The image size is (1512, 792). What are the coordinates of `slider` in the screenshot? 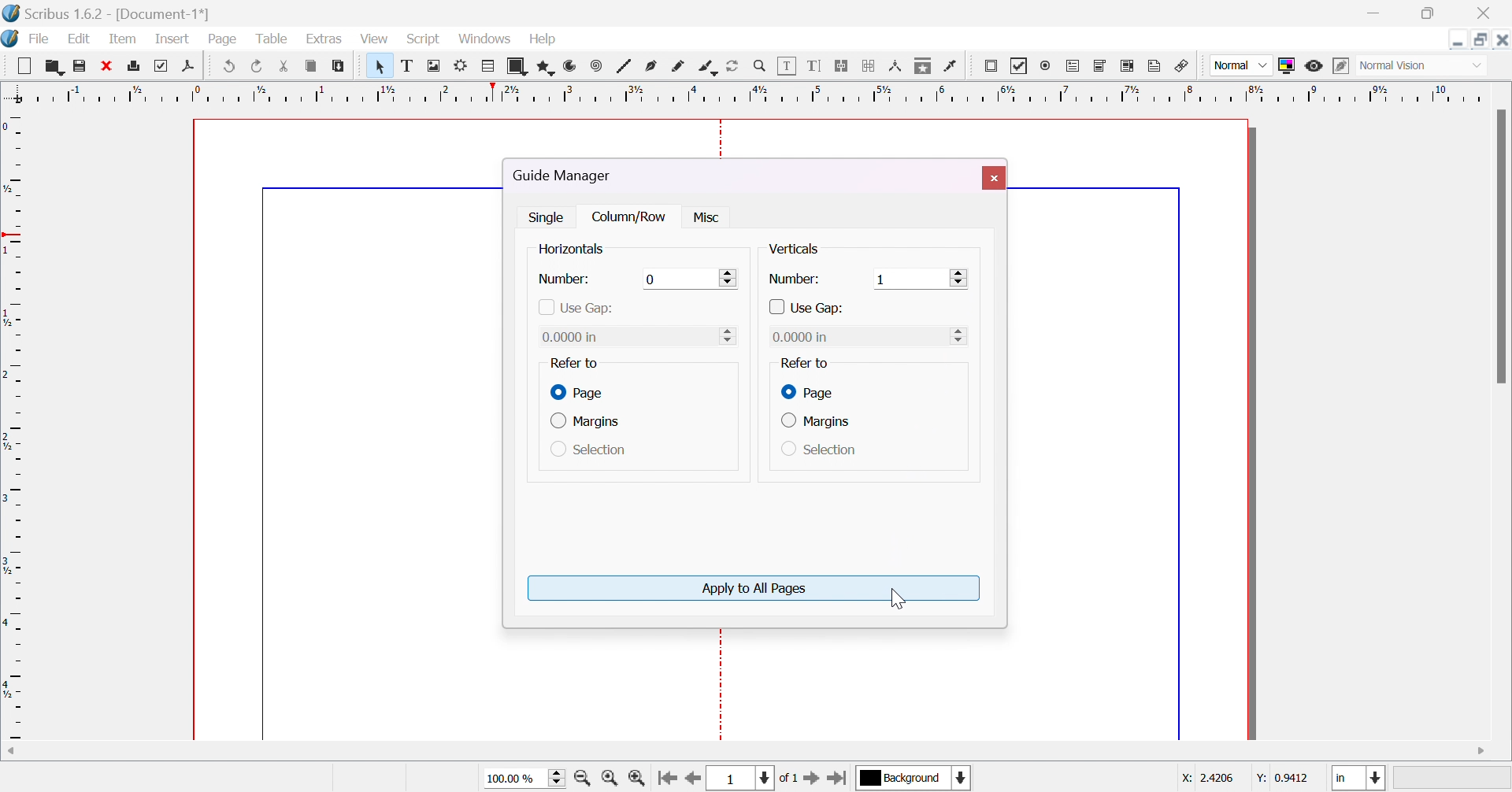 It's located at (962, 335).